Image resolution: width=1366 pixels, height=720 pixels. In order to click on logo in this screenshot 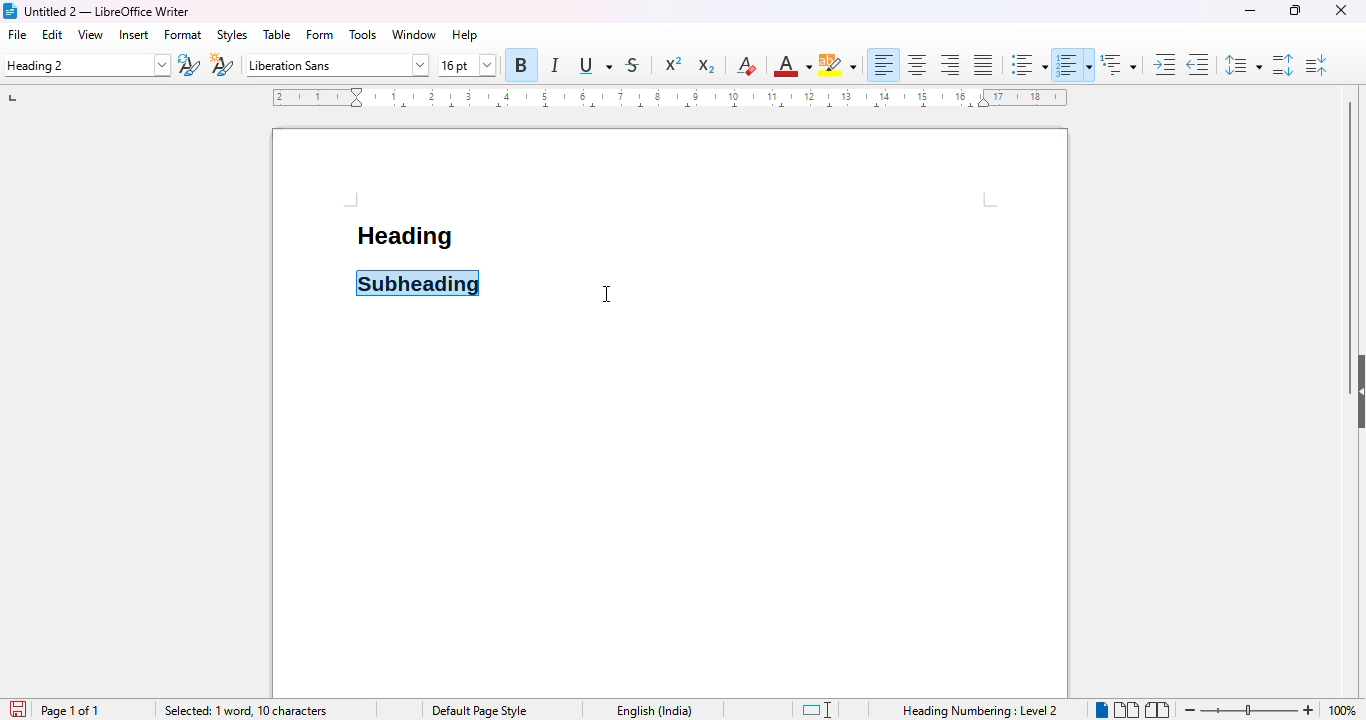, I will do `click(11, 11)`.